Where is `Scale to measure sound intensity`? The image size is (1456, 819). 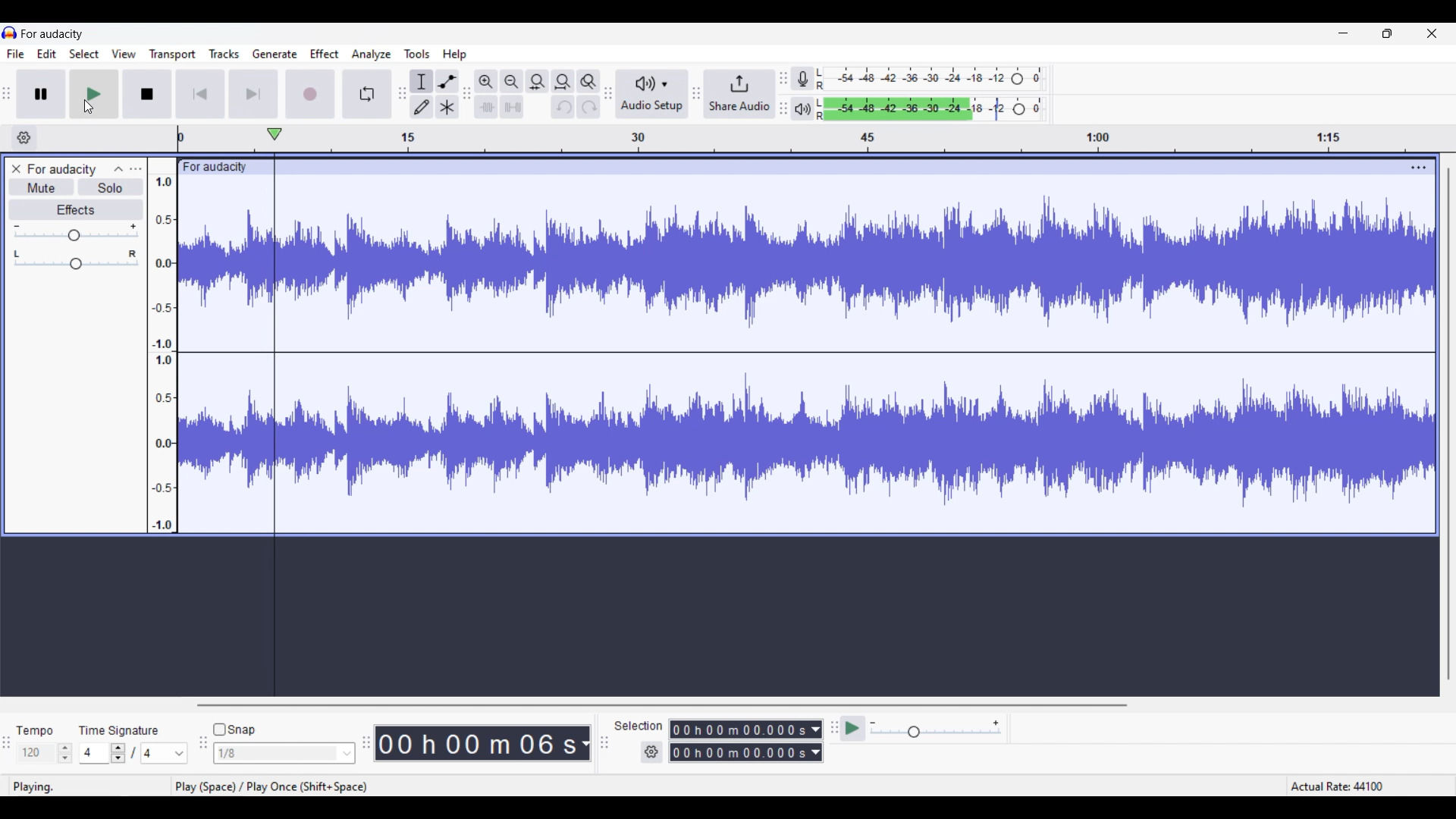
Scale to measure sound intensity is located at coordinates (163, 353).